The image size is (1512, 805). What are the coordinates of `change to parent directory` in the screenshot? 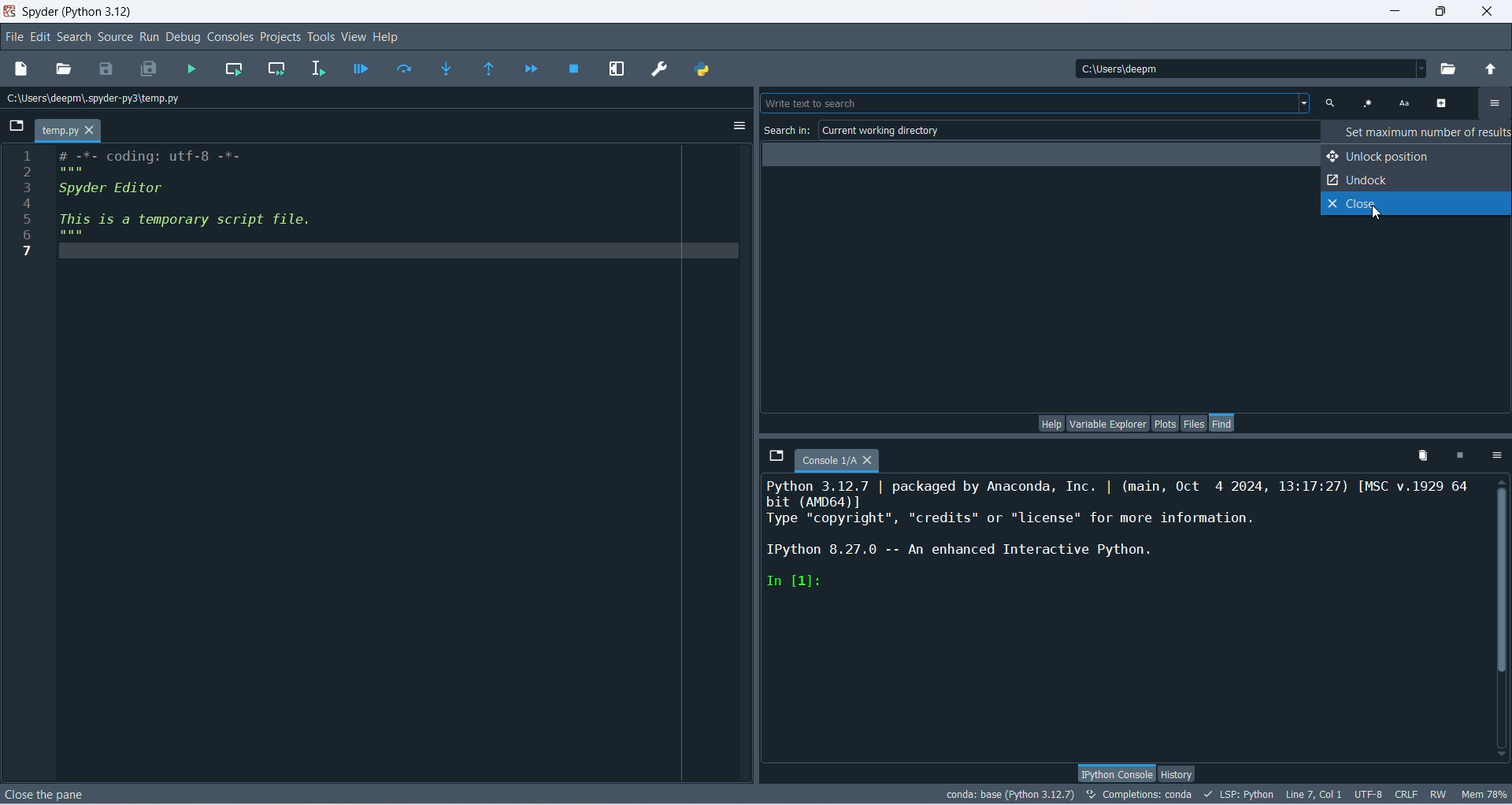 It's located at (1491, 71).